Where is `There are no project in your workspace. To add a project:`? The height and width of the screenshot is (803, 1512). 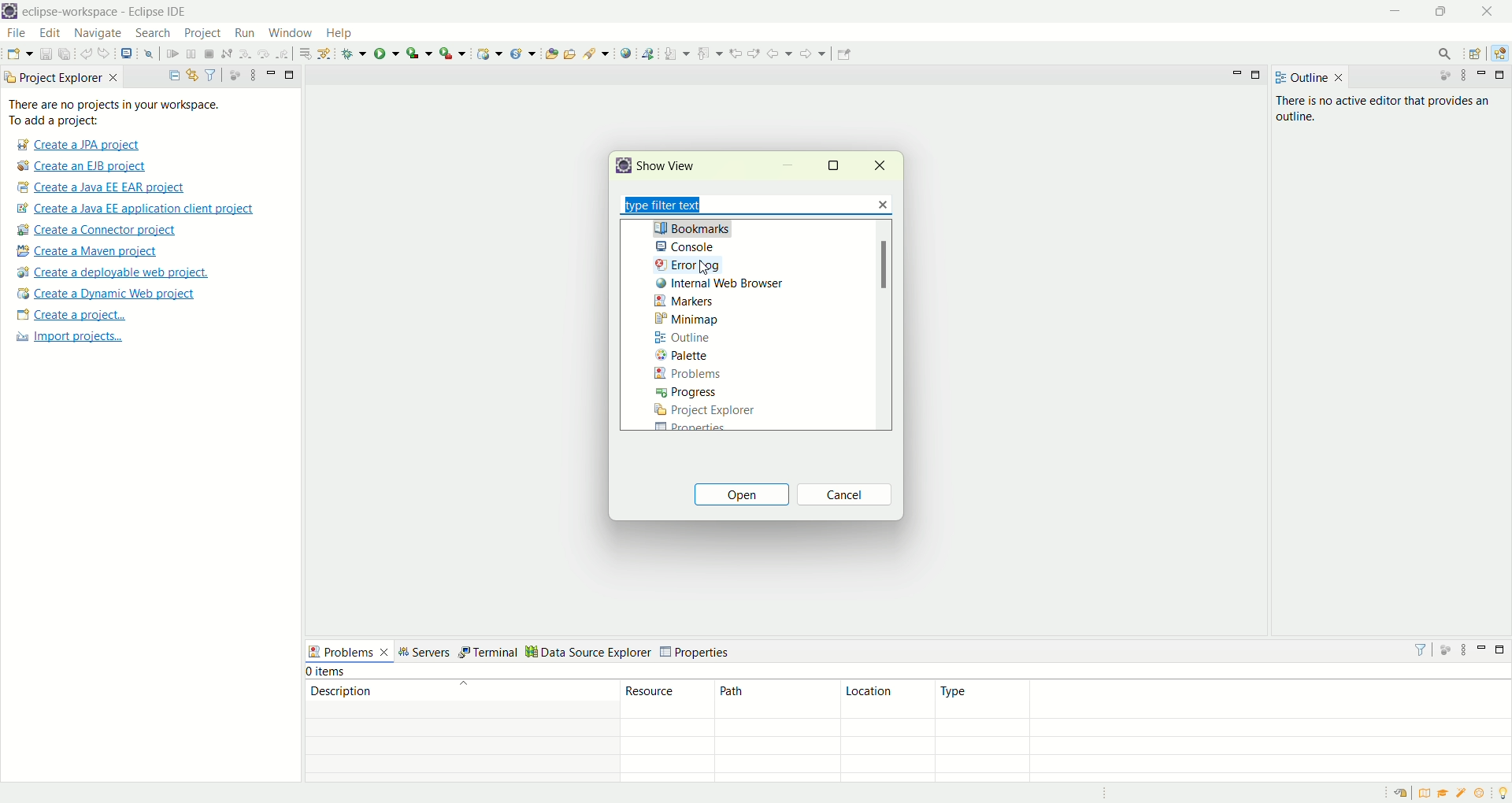 There are no project in your workspace. To add a project: is located at coordinates (133, 113).